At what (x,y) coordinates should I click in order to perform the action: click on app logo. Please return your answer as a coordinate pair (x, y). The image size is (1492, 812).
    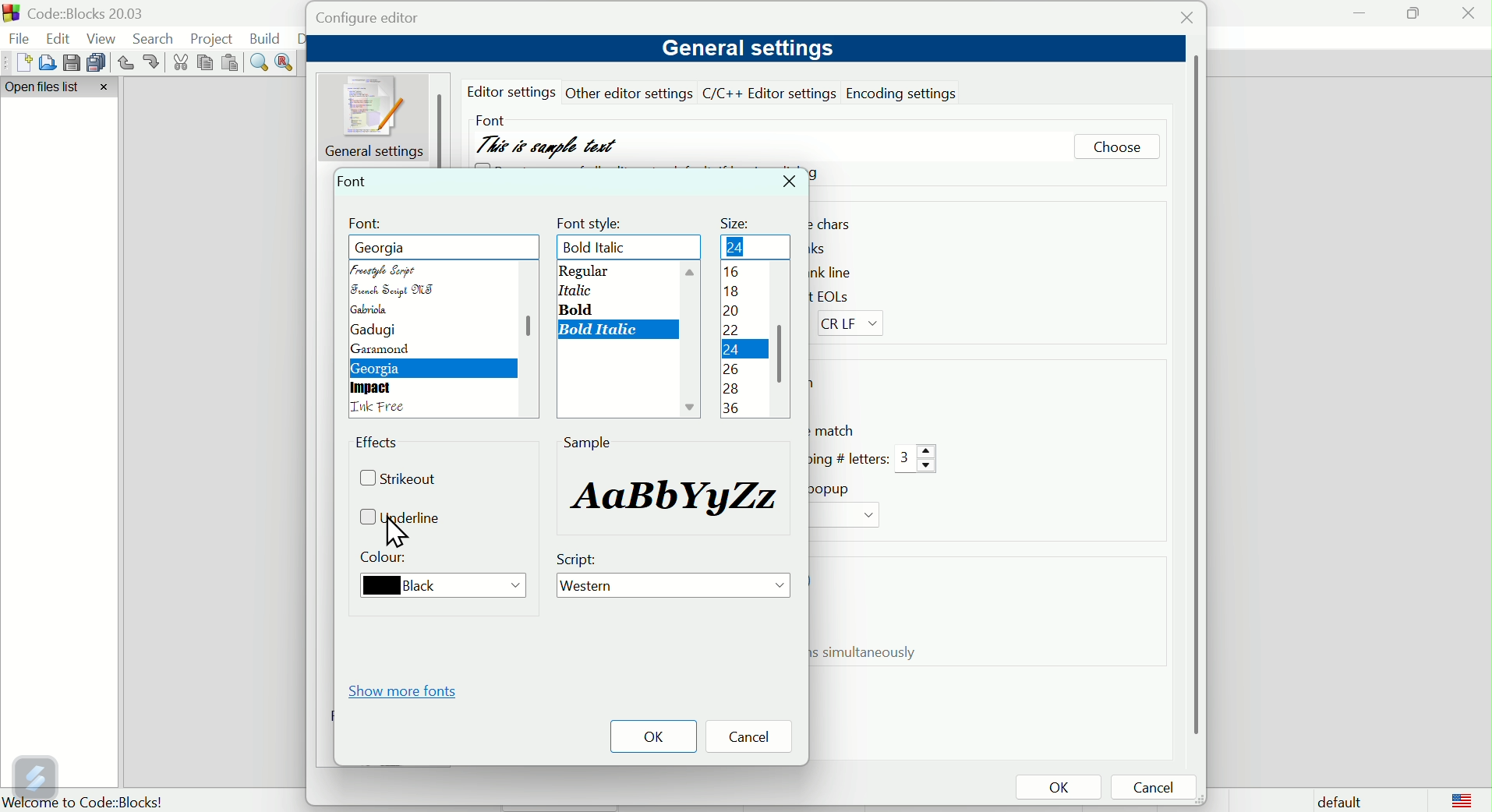
    Looking at the image, I should click on (9, 13).